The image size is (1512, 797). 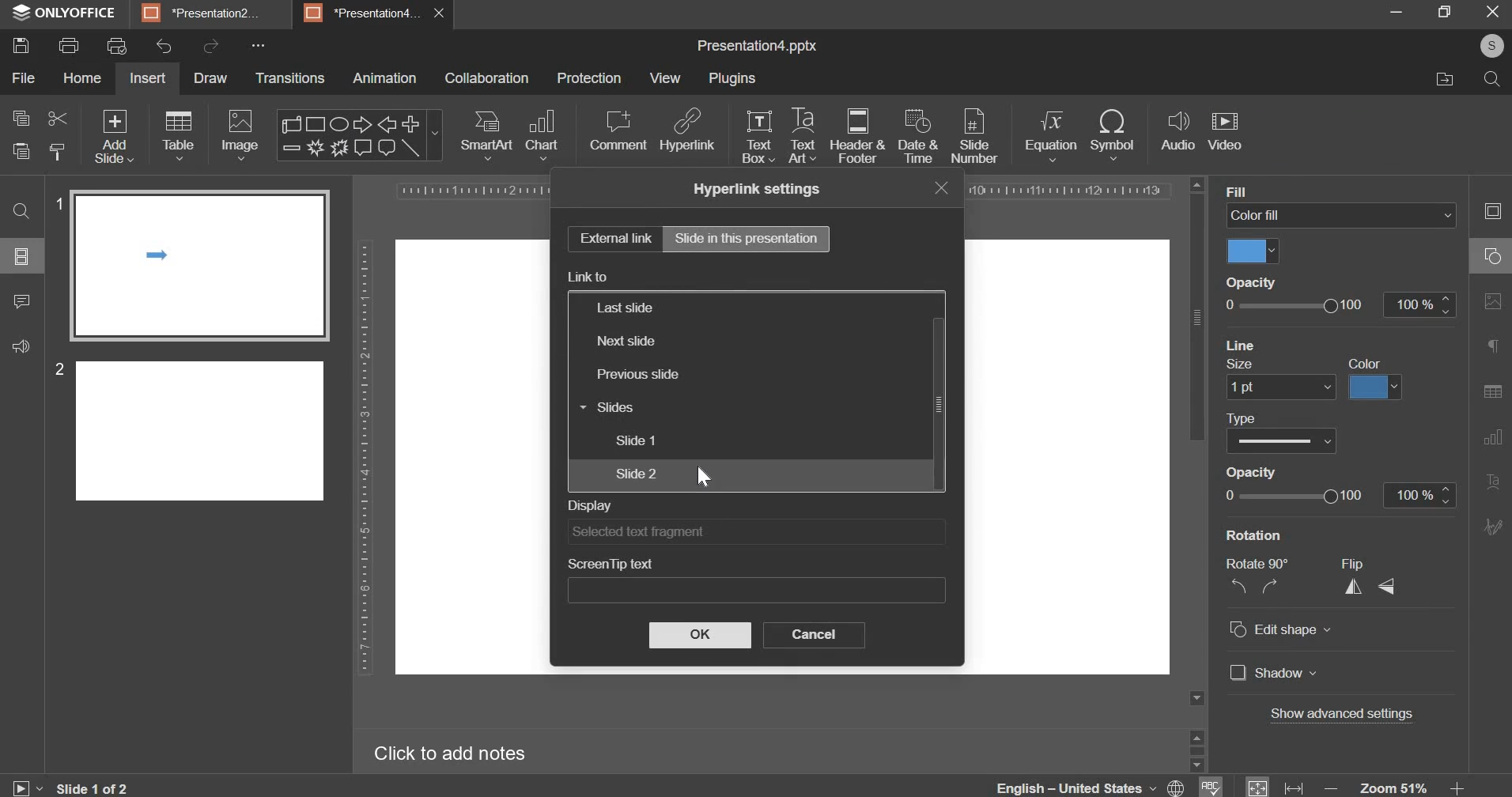 I want to click on zoom, so click(x=1397, y=784).